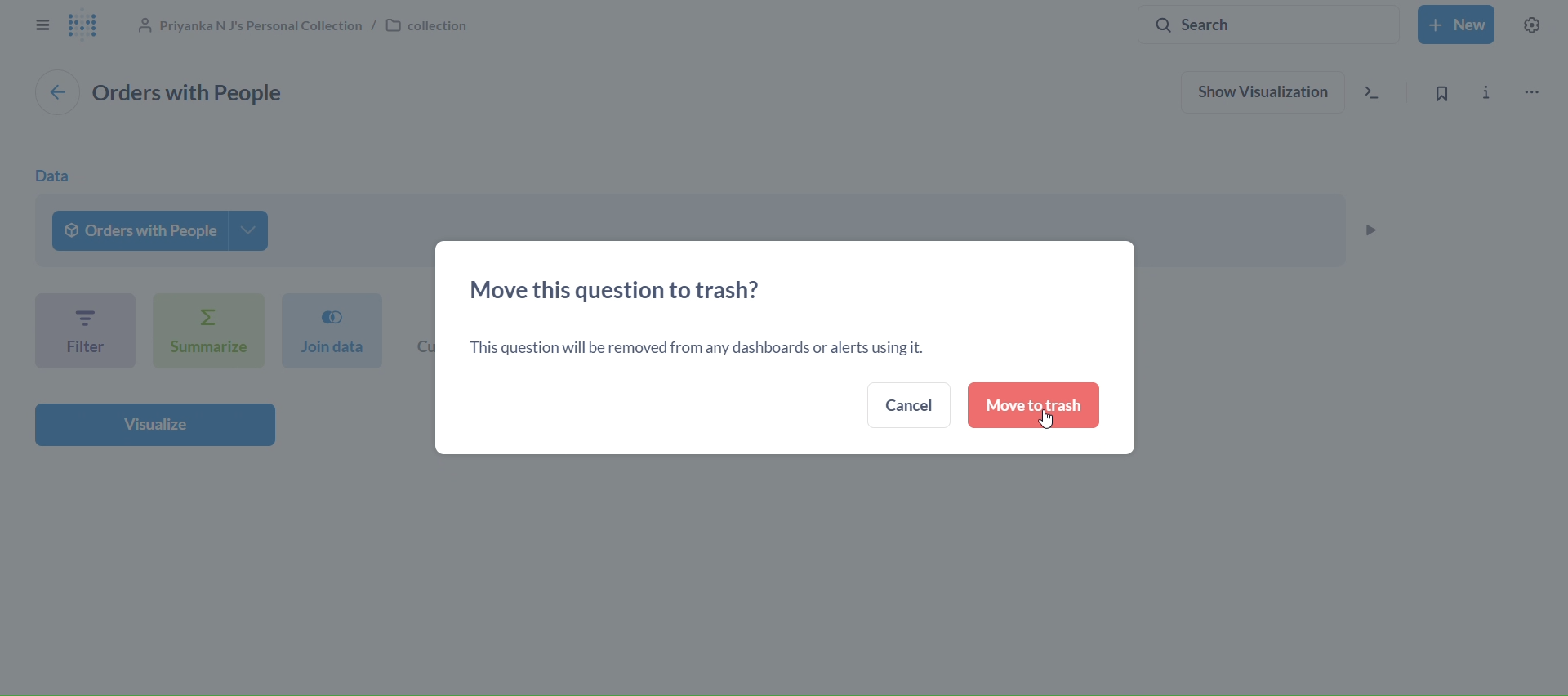  What do you see at coordinates (329, 331) in the screenshot?
I see `join dat` at bounding box center [329, 331].